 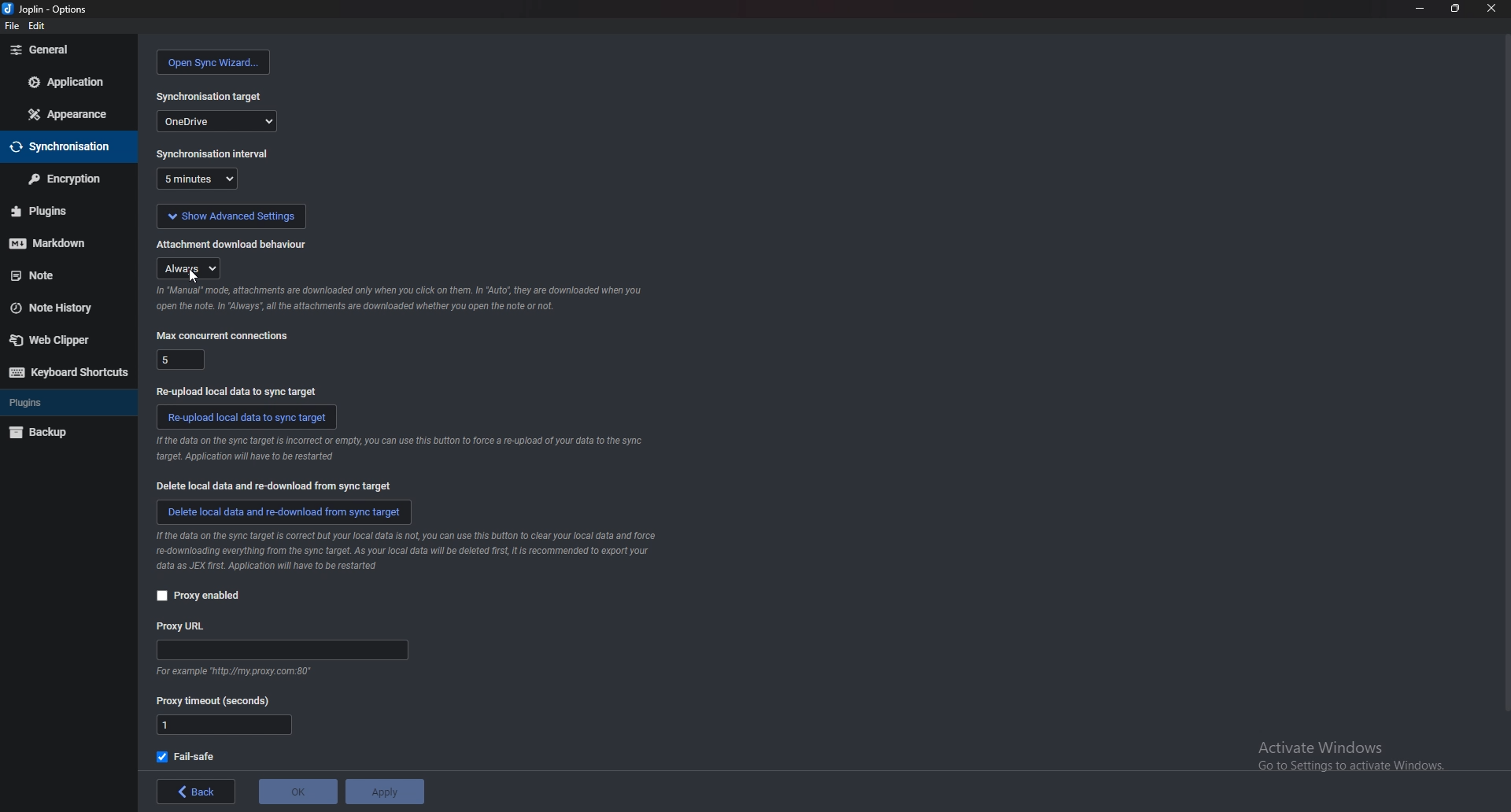 What do you see at coordinates (57, 309) in the screenshot?
I see `note history` at bounding box center [57, 309].